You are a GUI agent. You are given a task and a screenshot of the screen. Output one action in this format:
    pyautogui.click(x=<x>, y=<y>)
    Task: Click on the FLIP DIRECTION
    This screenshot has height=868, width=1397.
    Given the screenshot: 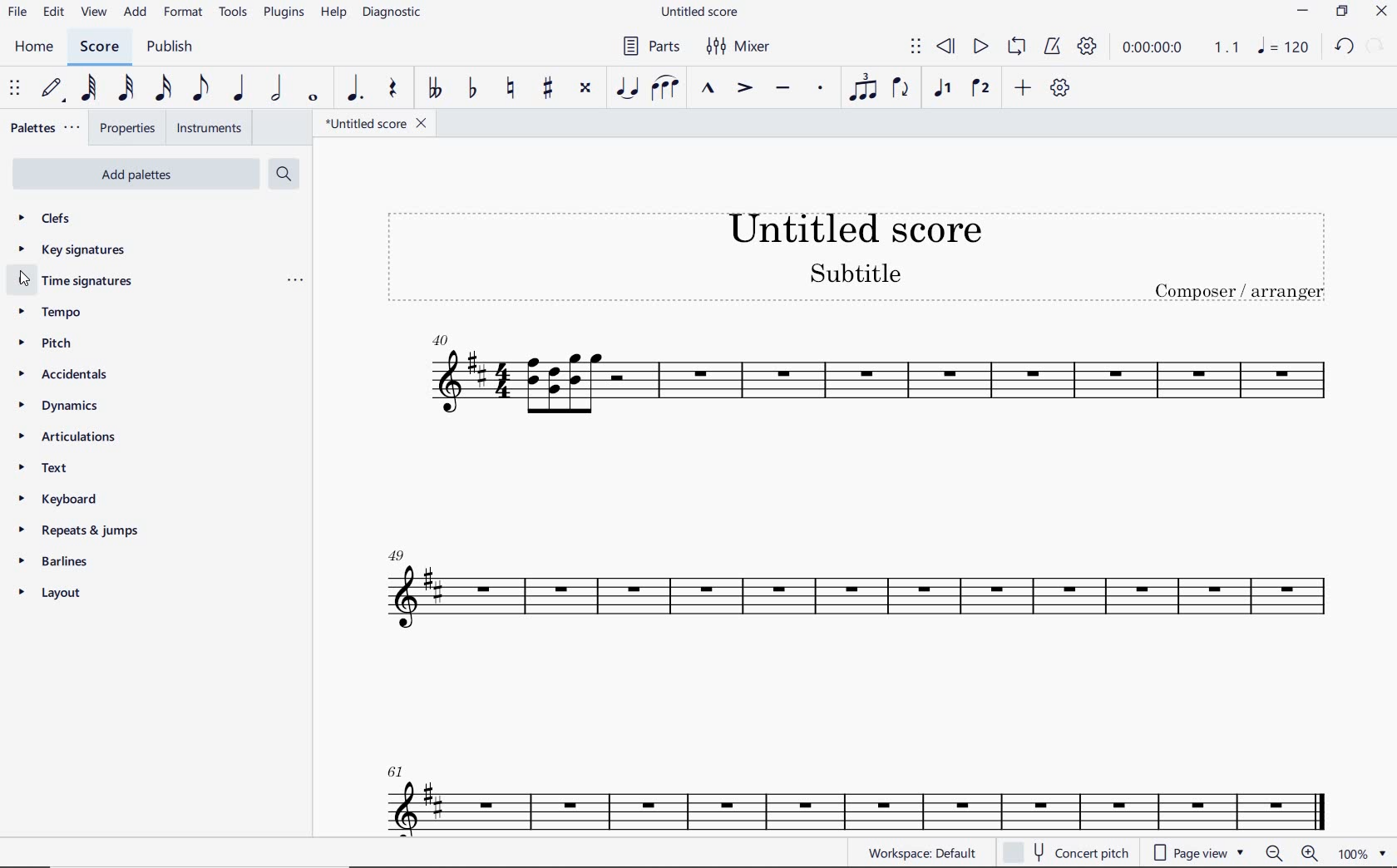 What is the action you would take?
    pyautogui.click(x=901, y=89)
    